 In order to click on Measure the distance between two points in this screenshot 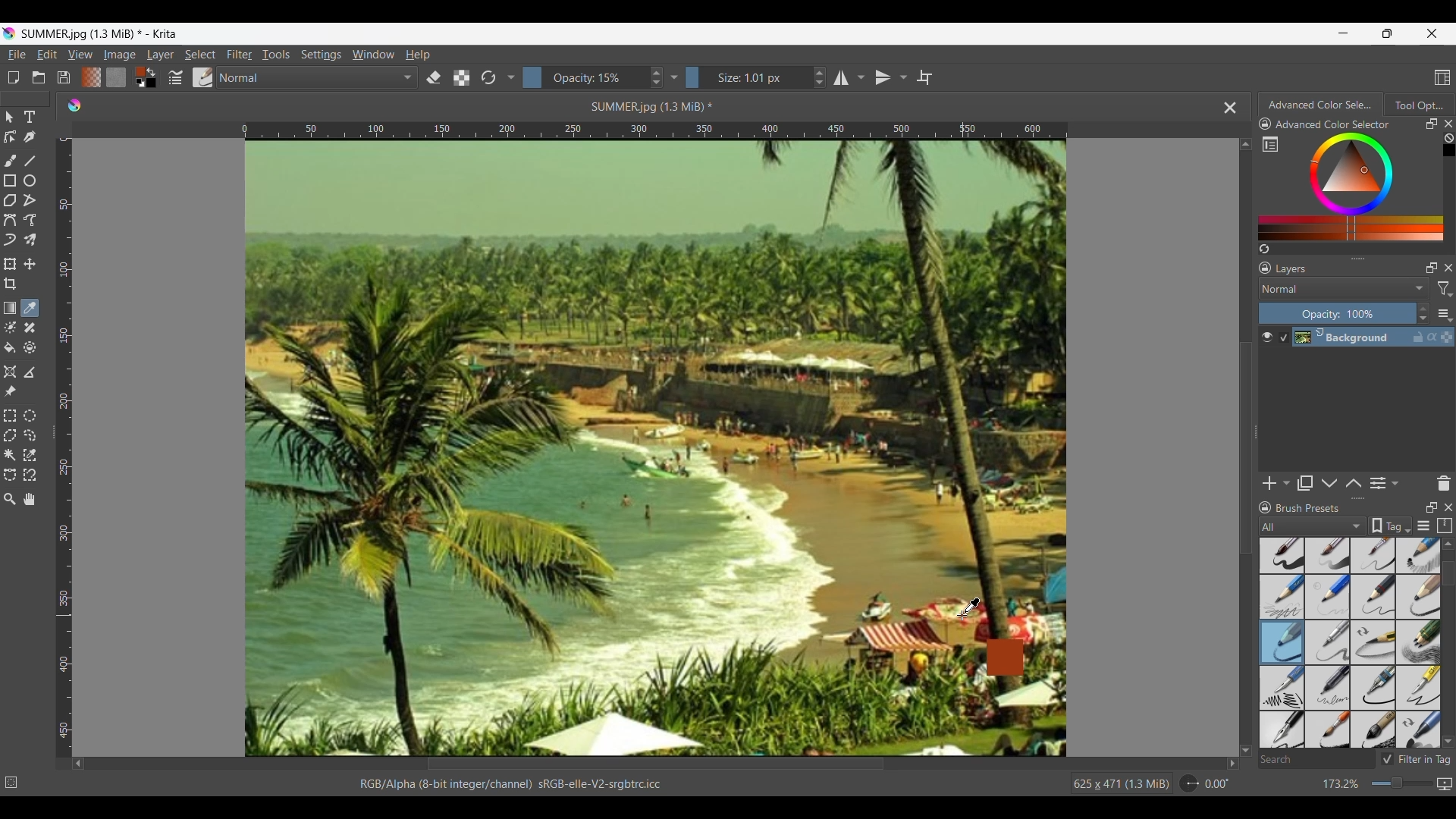, I will do `click(30, 373)`.